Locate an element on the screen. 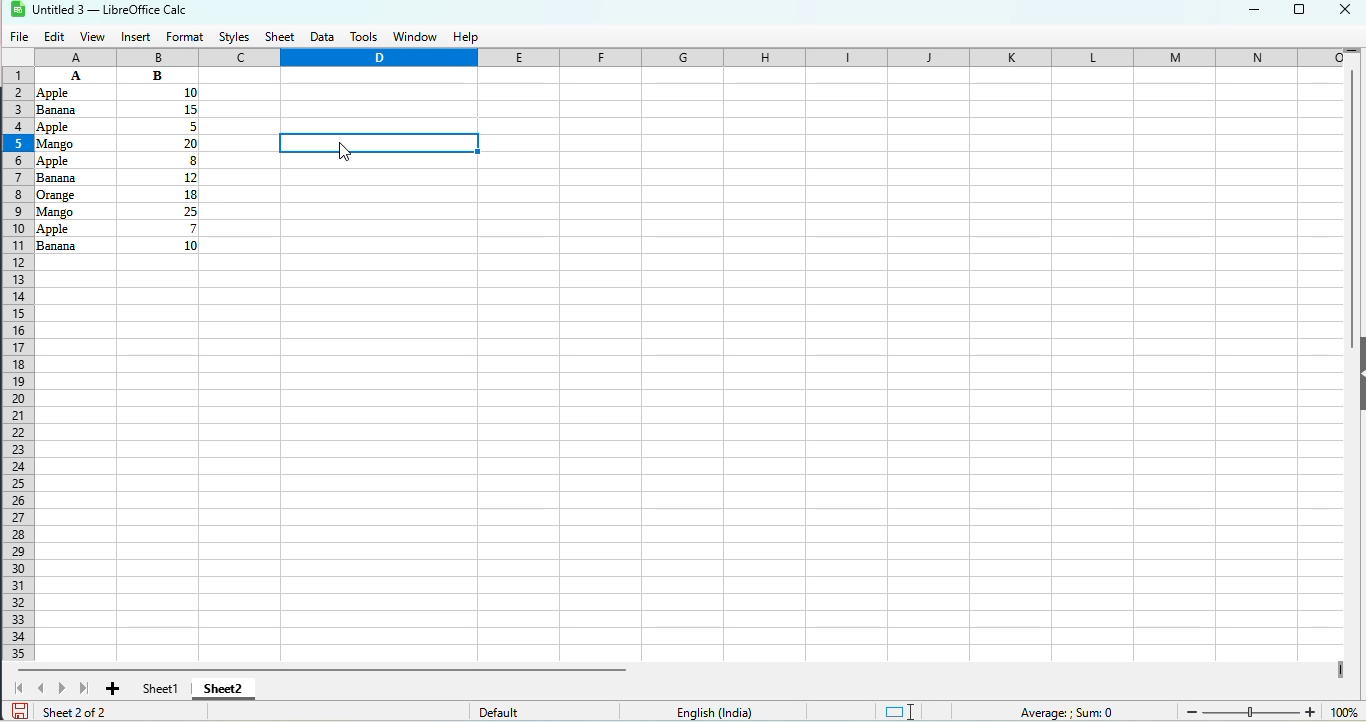 The height and width of the screenshot is (722, 1366). scroll to previous sheet is located at coordinates (41, 689).